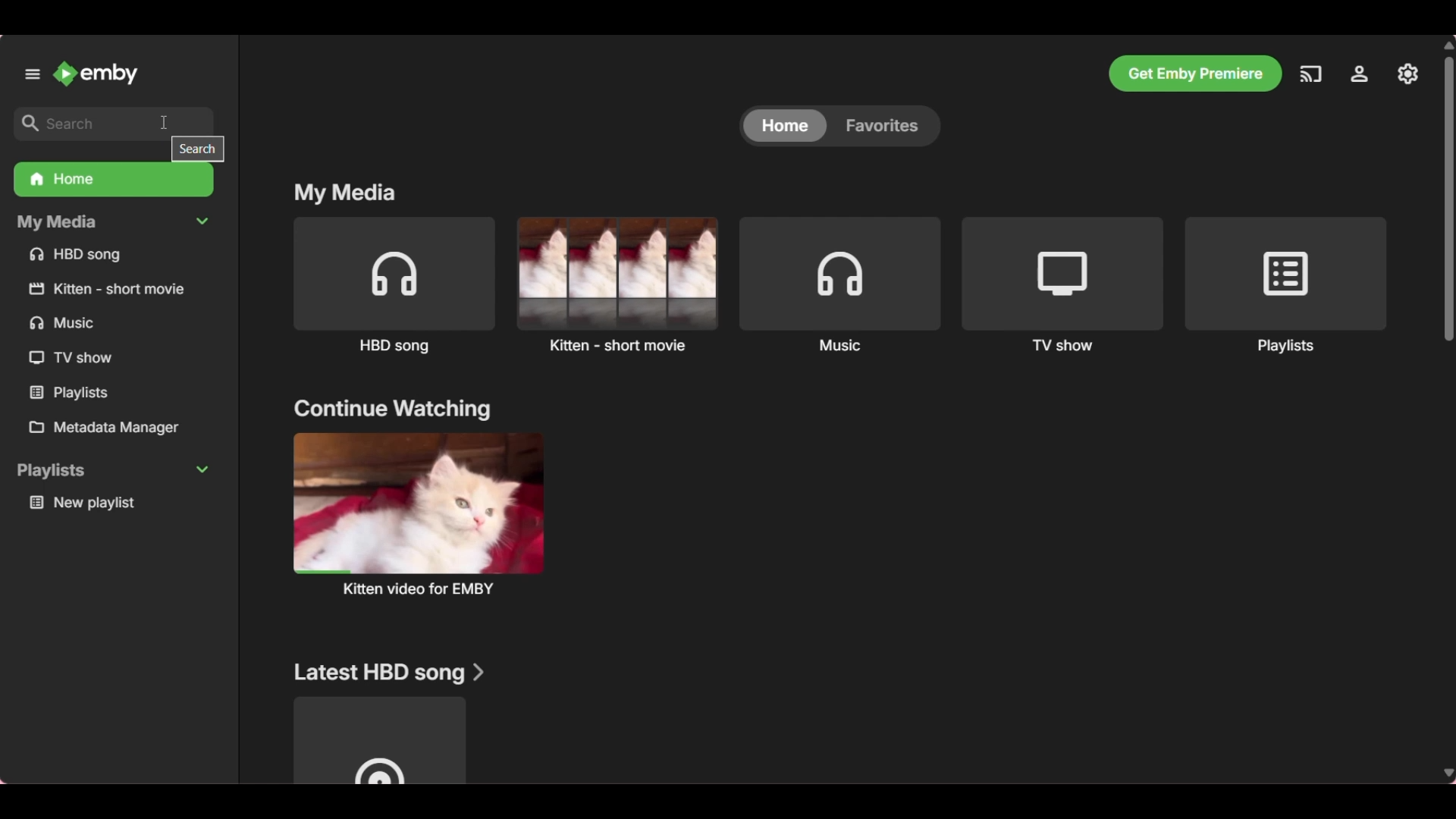 This screenshot has width=1456, height=819. I want to click on Music, so click(841, 284).